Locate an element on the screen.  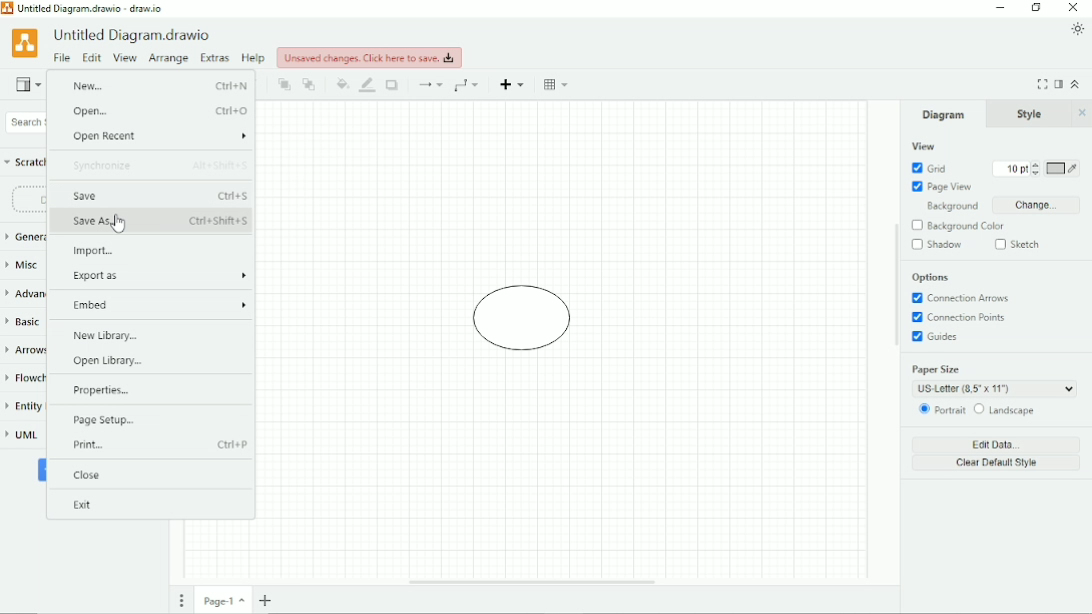
Close is located at coordinates (1074, 7).